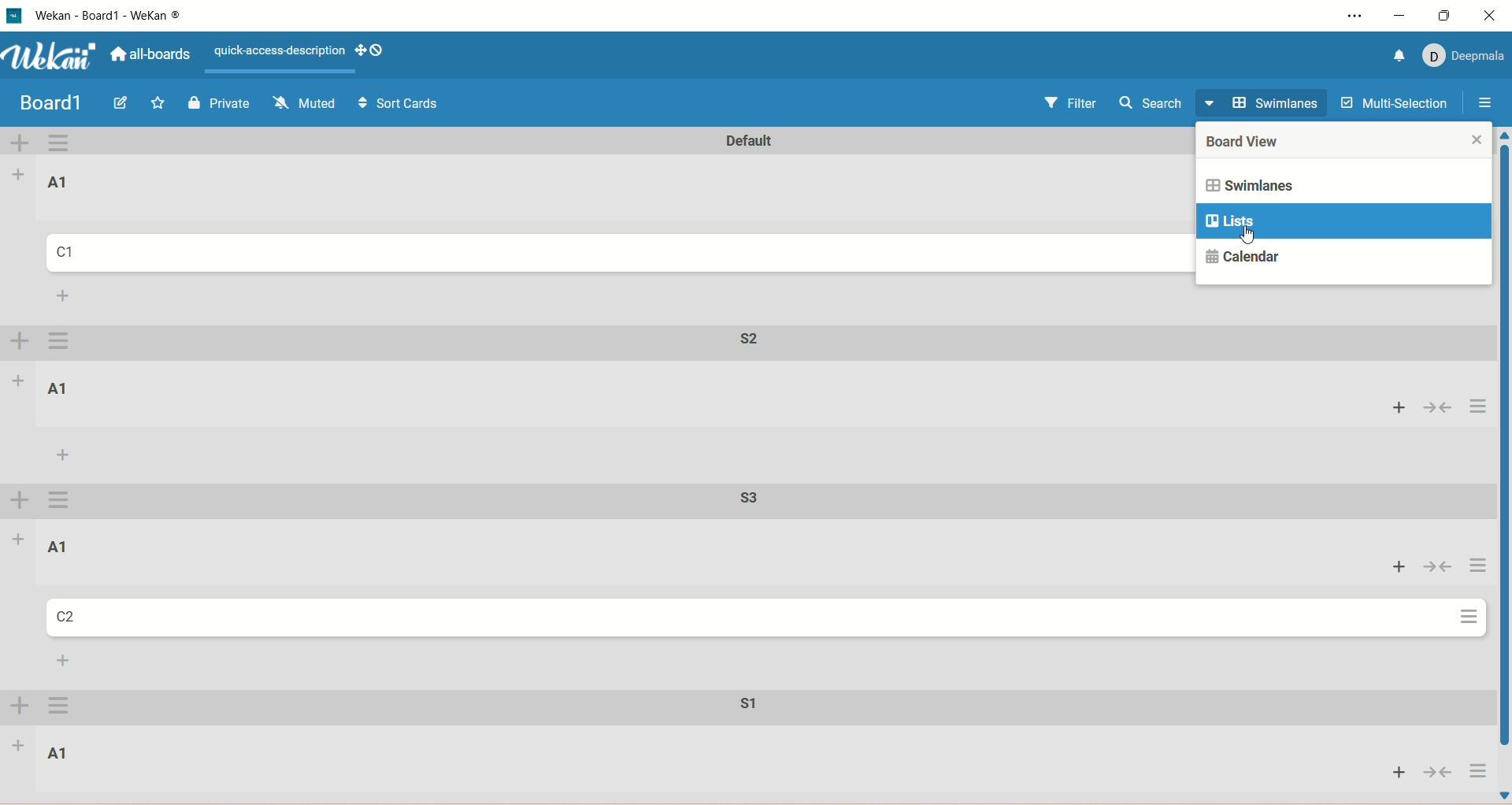 This screenshot has width=1512, height=805. I want to click on collapse, so click(1436, 773).